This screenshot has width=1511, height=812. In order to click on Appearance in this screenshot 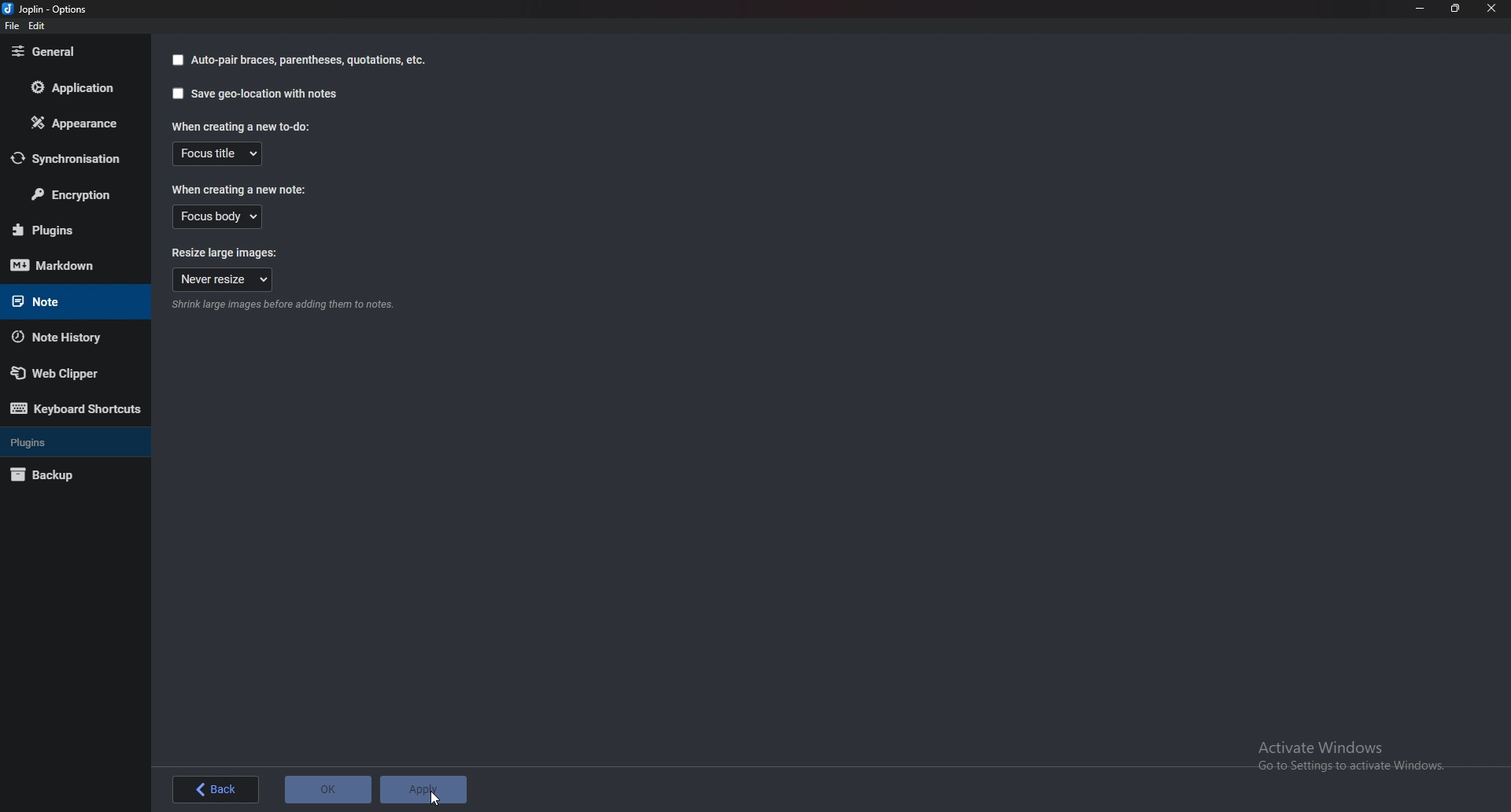, I will do `click(72, 124)`.